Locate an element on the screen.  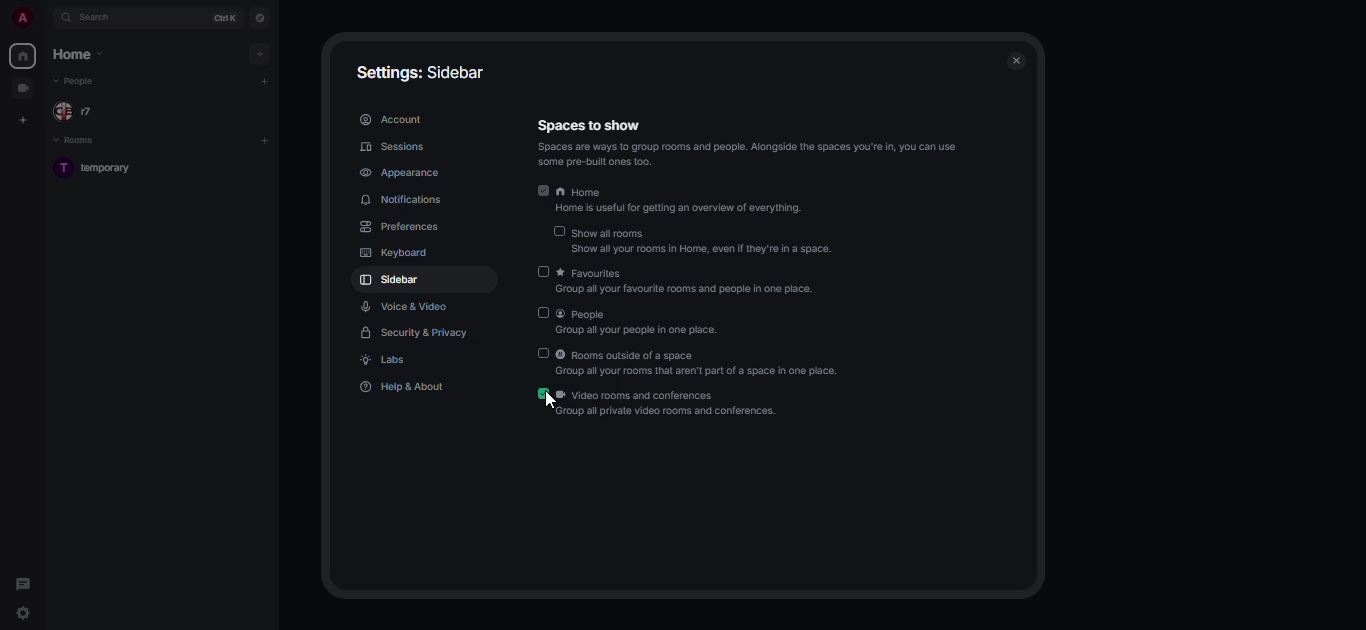
create space is located at coordinates (24, 121).